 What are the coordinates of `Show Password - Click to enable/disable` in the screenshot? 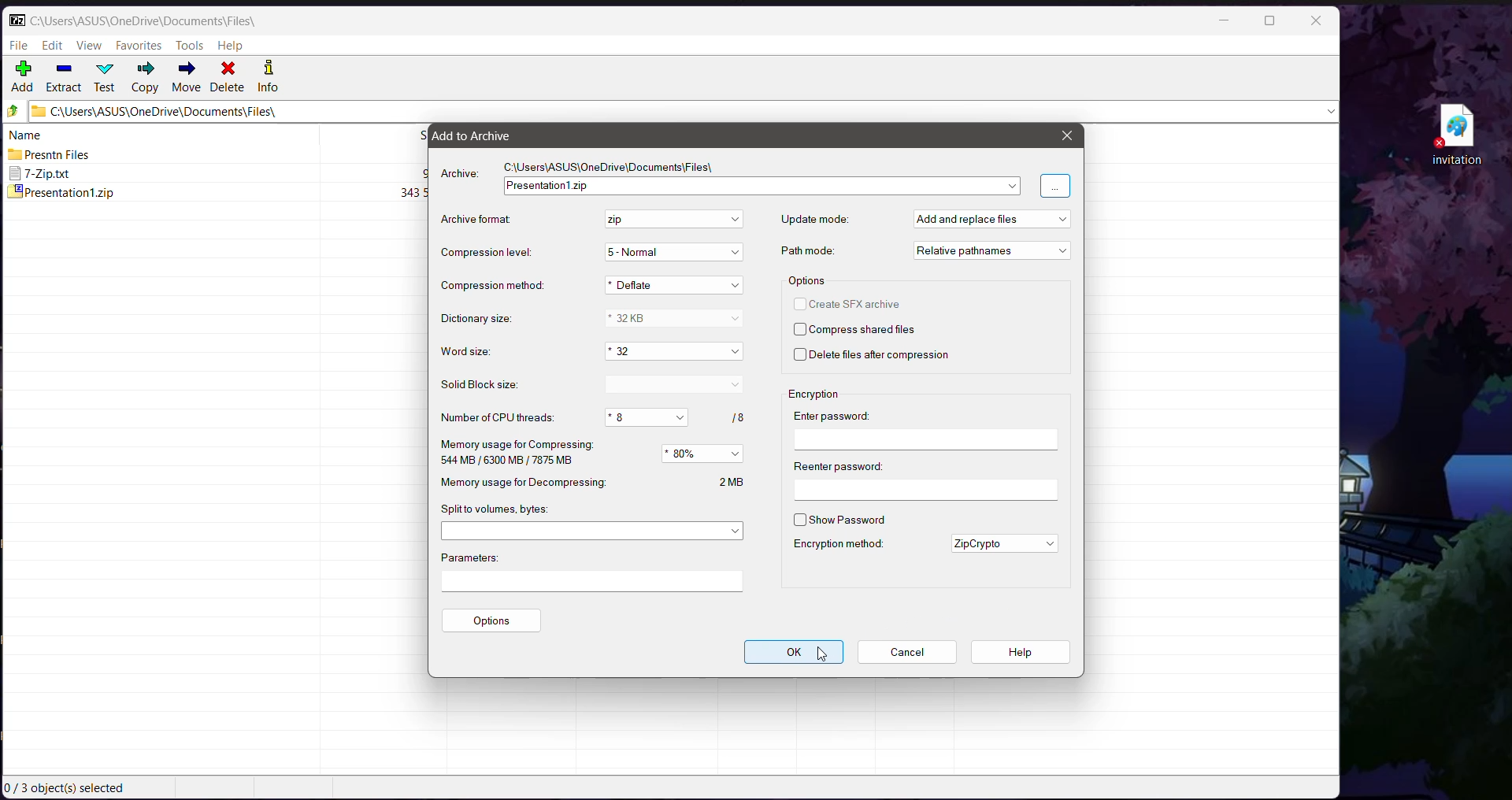 It's located at (839, 519).